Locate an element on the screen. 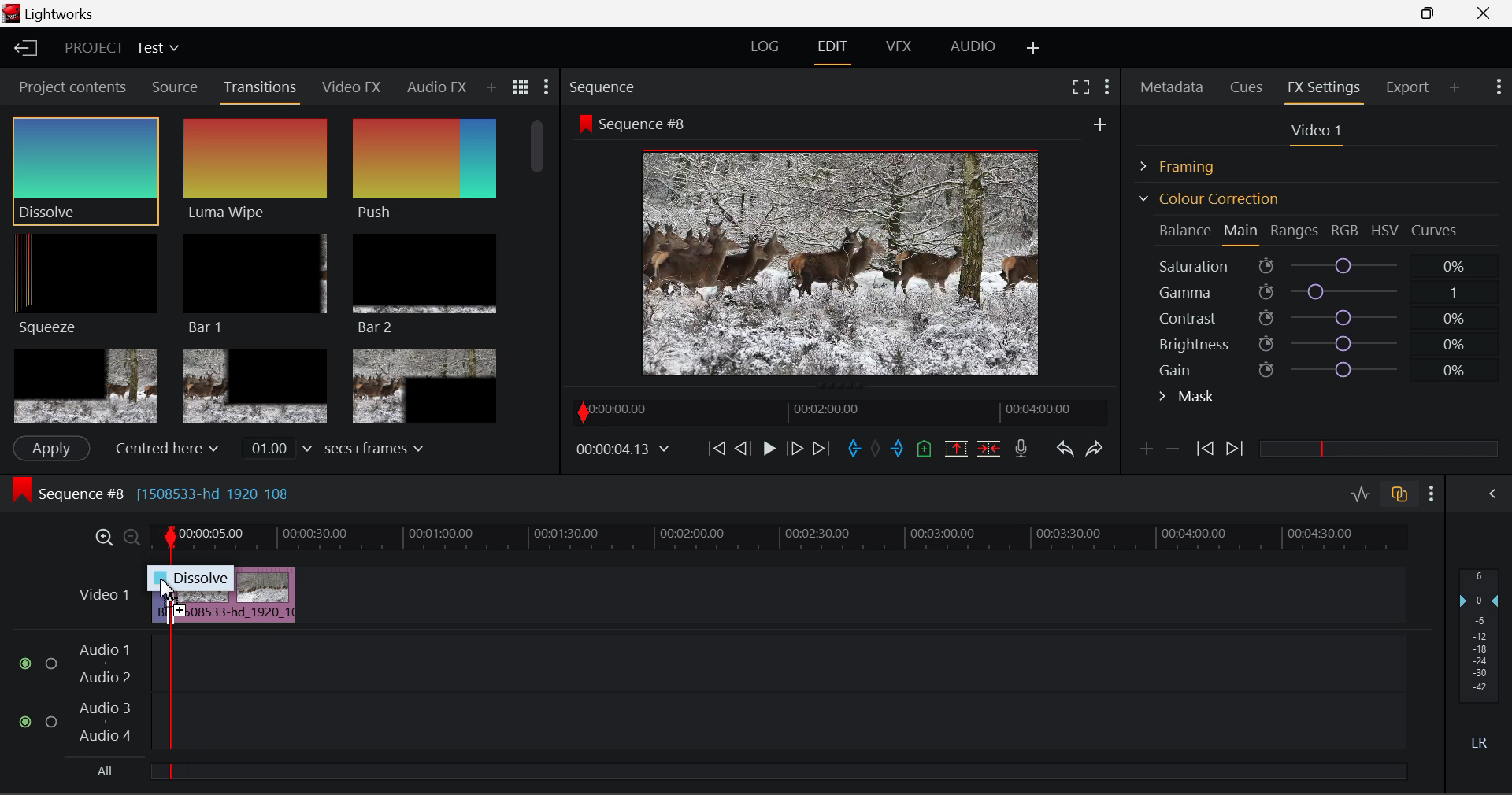 This screenshot has width=1512, height=795. Push is located at coordinates (424, 170).